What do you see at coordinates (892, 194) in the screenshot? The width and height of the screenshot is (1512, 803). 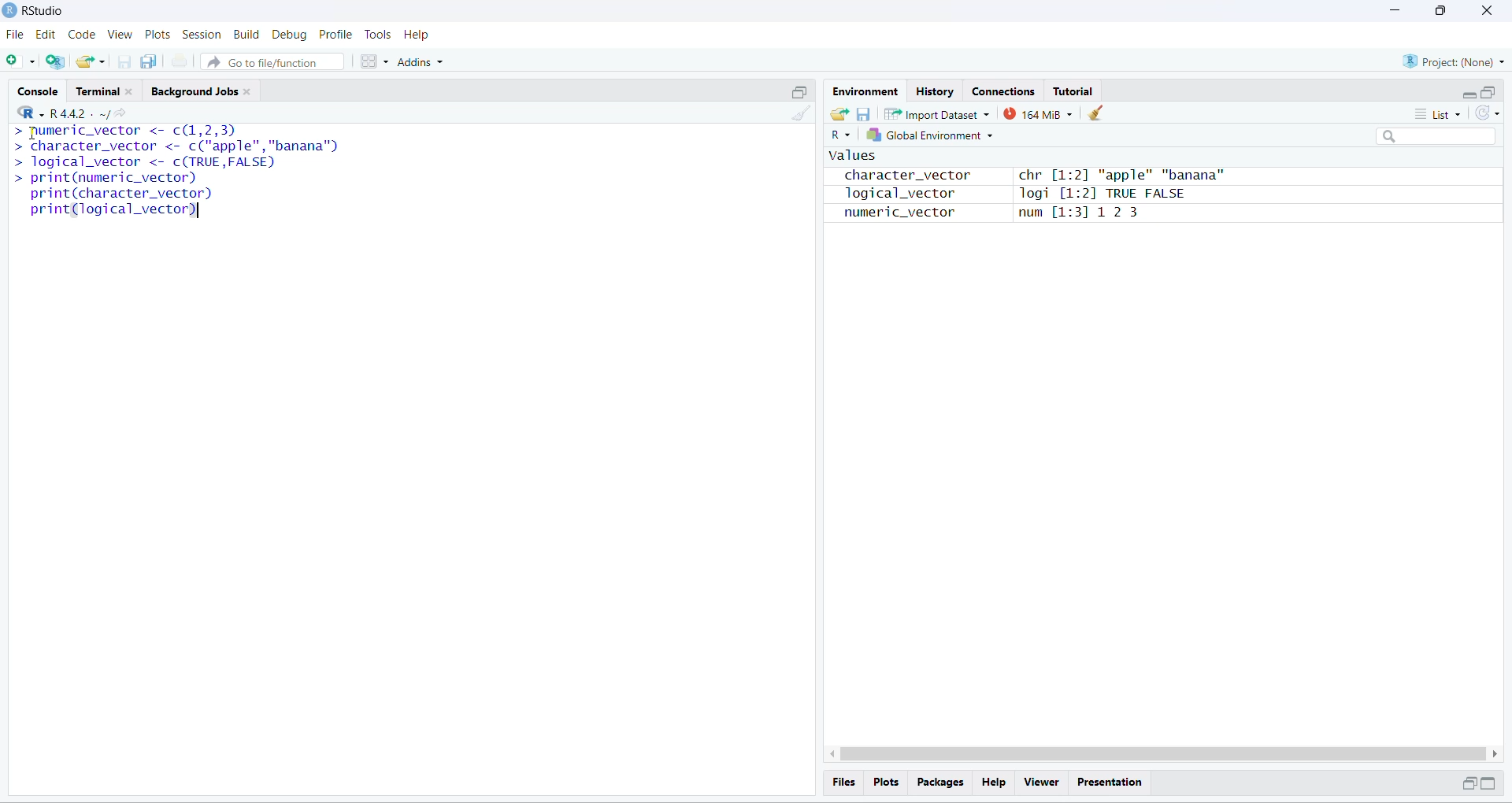 I see `logical_vector` at bounding box center [892, 194].